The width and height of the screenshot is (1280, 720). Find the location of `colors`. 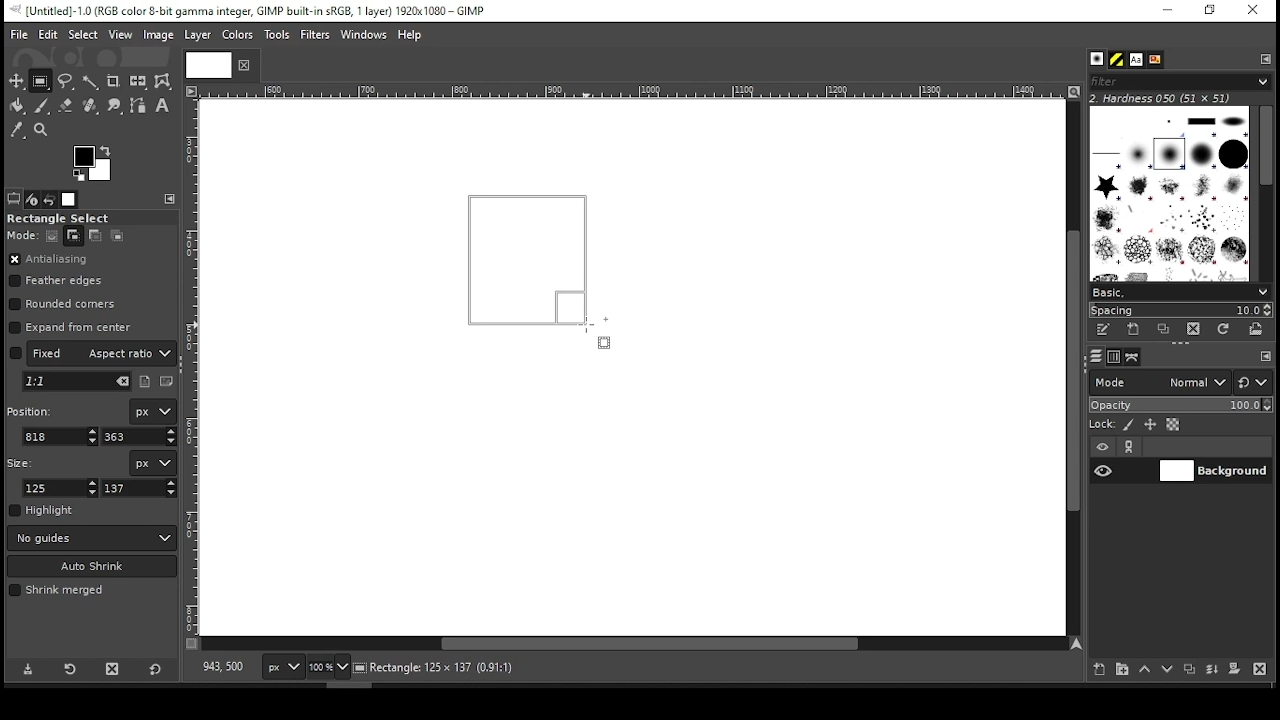

colors is located at coordinates (93, 163).